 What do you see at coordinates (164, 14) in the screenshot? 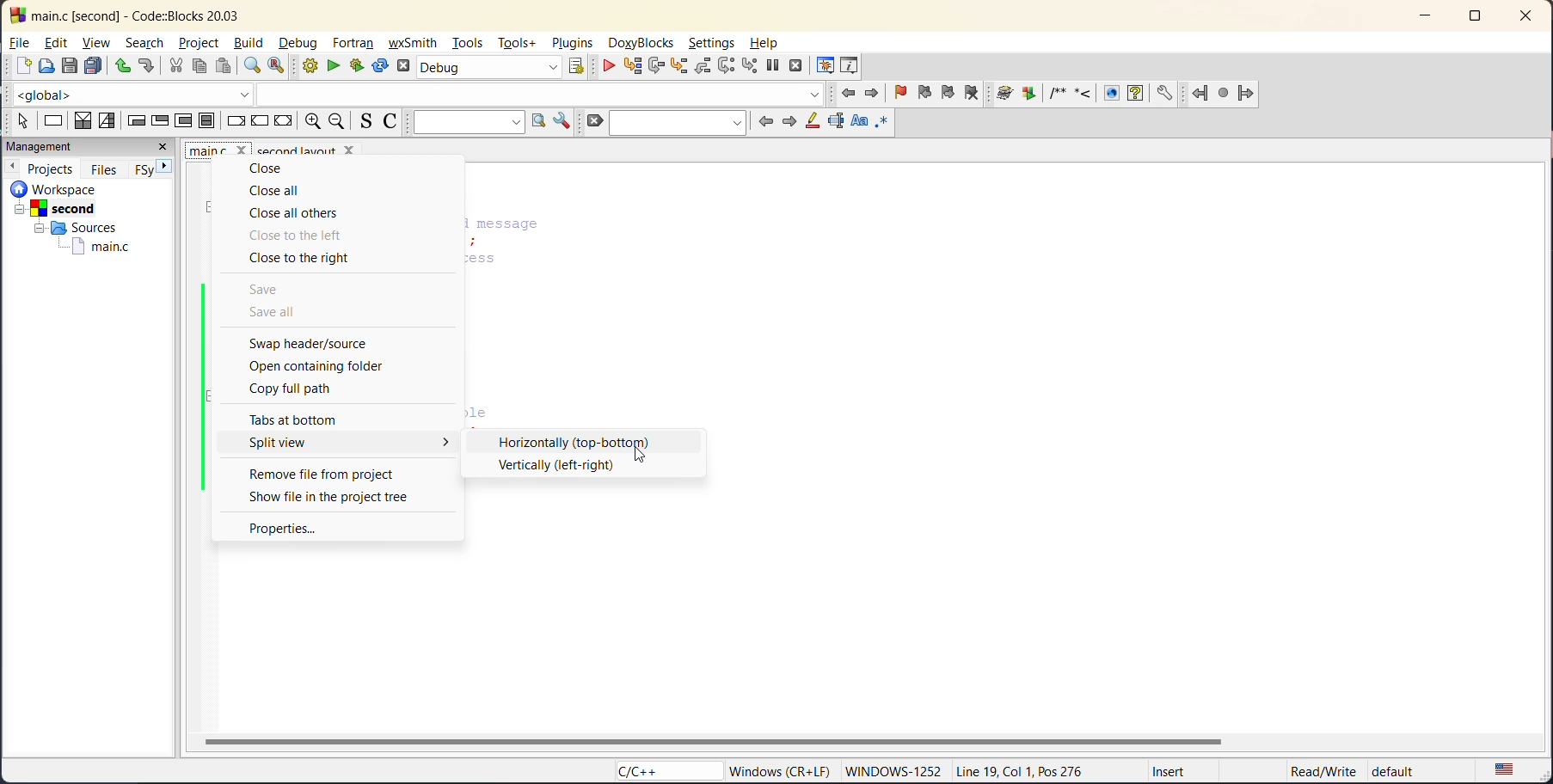
I see `app name and file name` at bounding box center [164, 14].